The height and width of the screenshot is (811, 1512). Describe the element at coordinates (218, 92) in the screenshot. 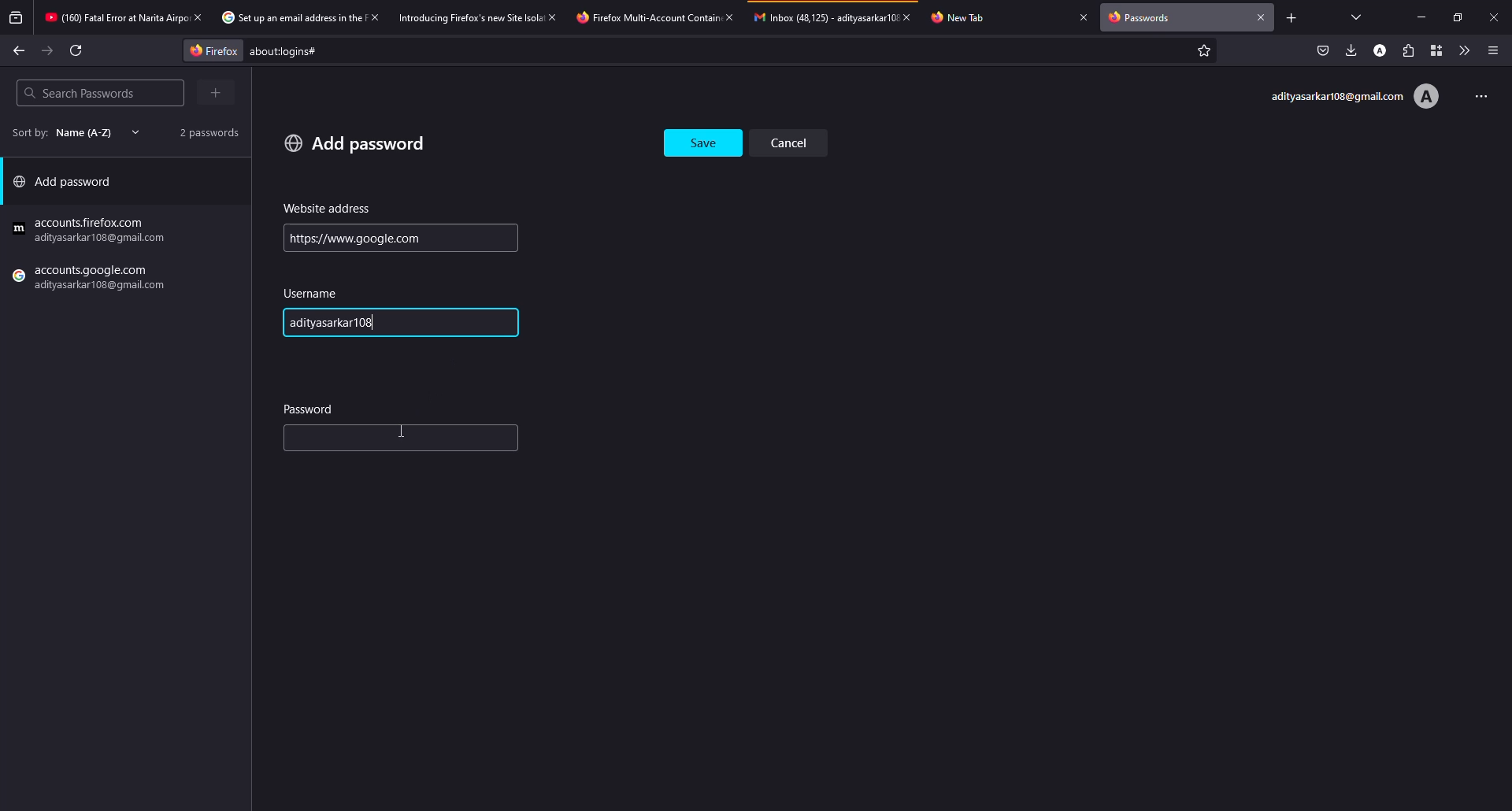

I see `add more` at that location.